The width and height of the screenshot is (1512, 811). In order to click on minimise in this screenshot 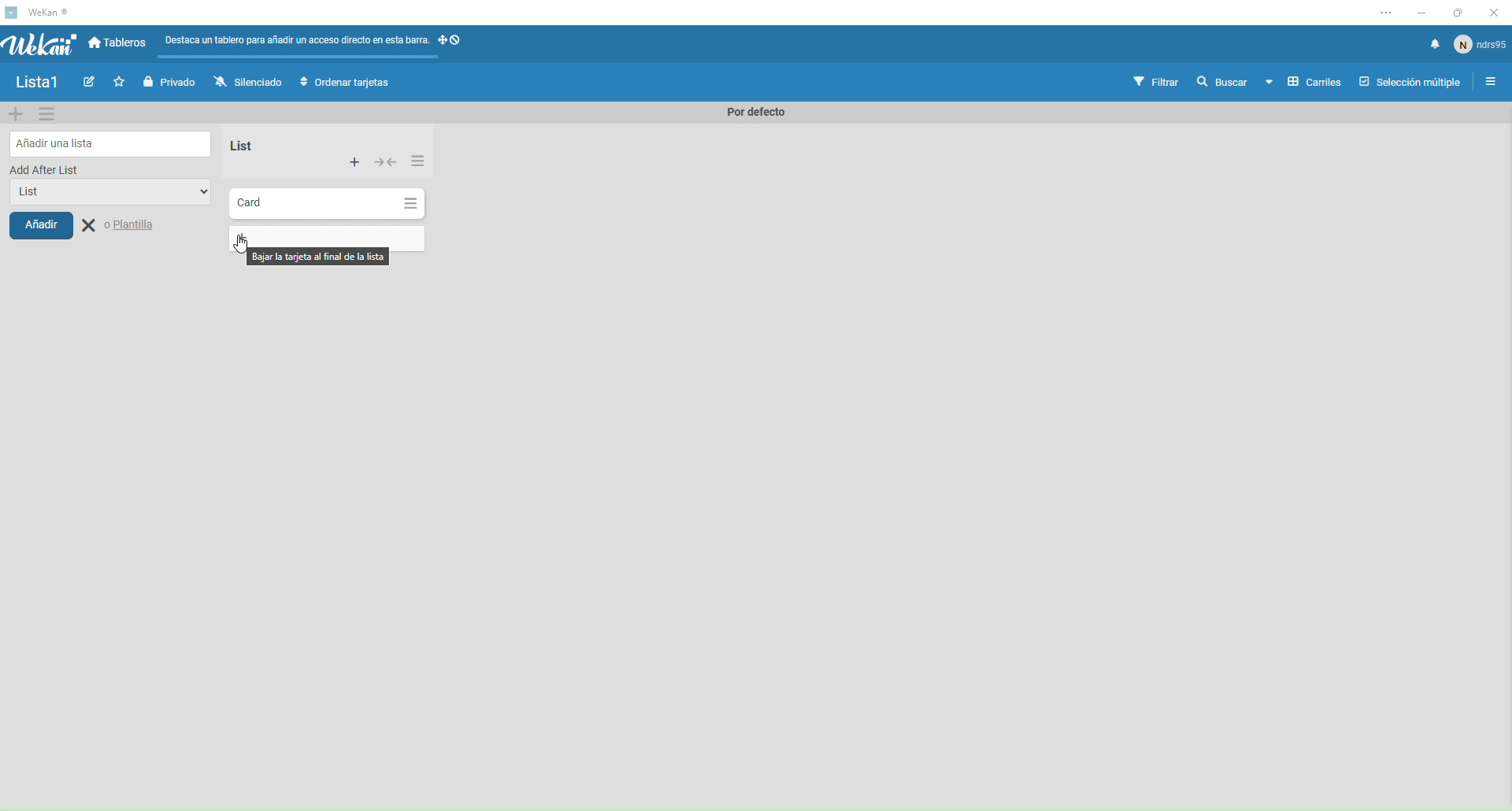, I will do `click(1420, 13)`.